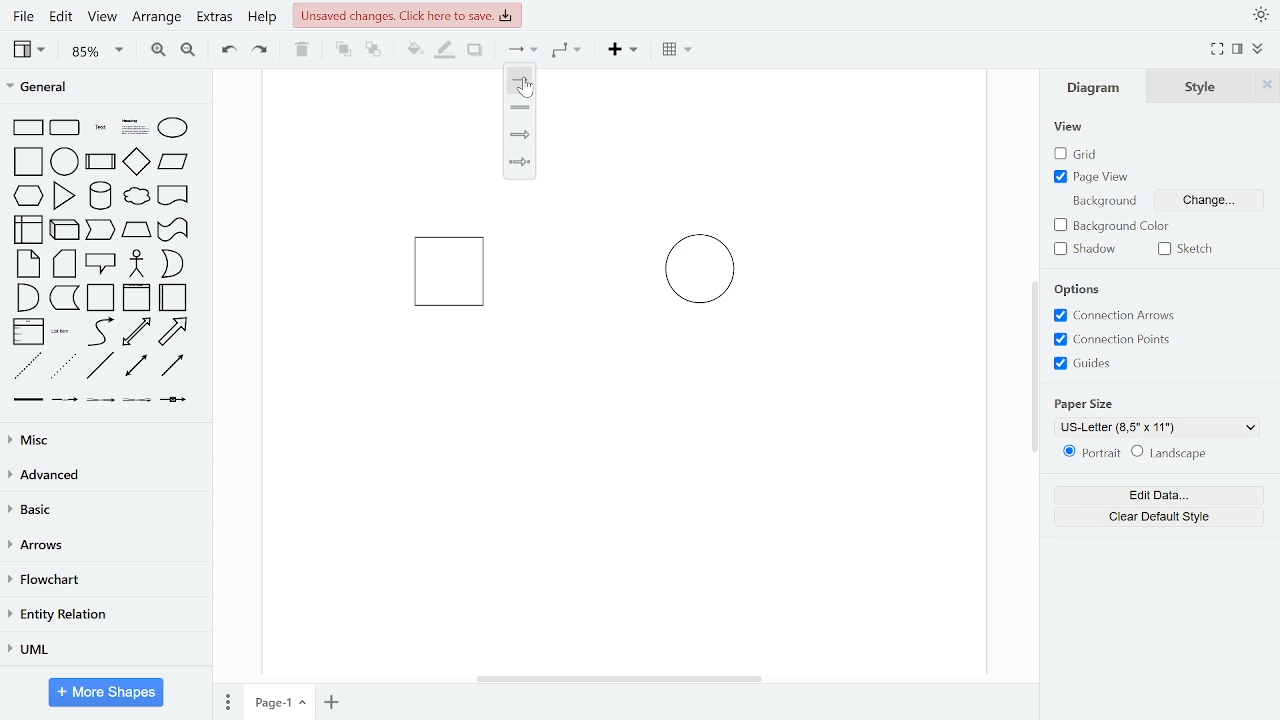 The width and height of the screenshot is (1280, 720). What do you see at coordinates (100, 18) in the screenshot?
I see `view` at bounding box center [100, 18].